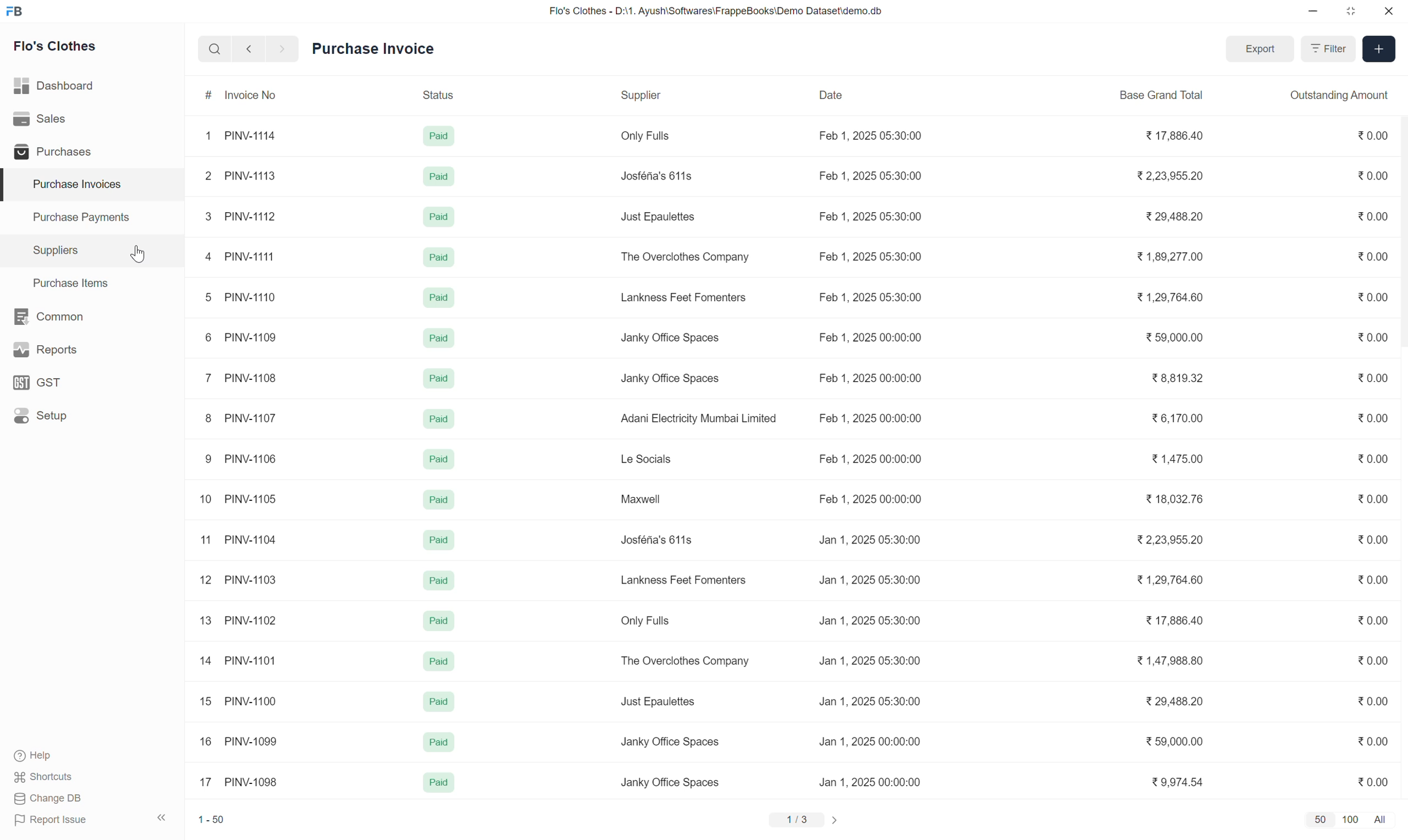  Describe the element at coordinates (54, 250) in the screenshot. I see `Suppliers` at that location.